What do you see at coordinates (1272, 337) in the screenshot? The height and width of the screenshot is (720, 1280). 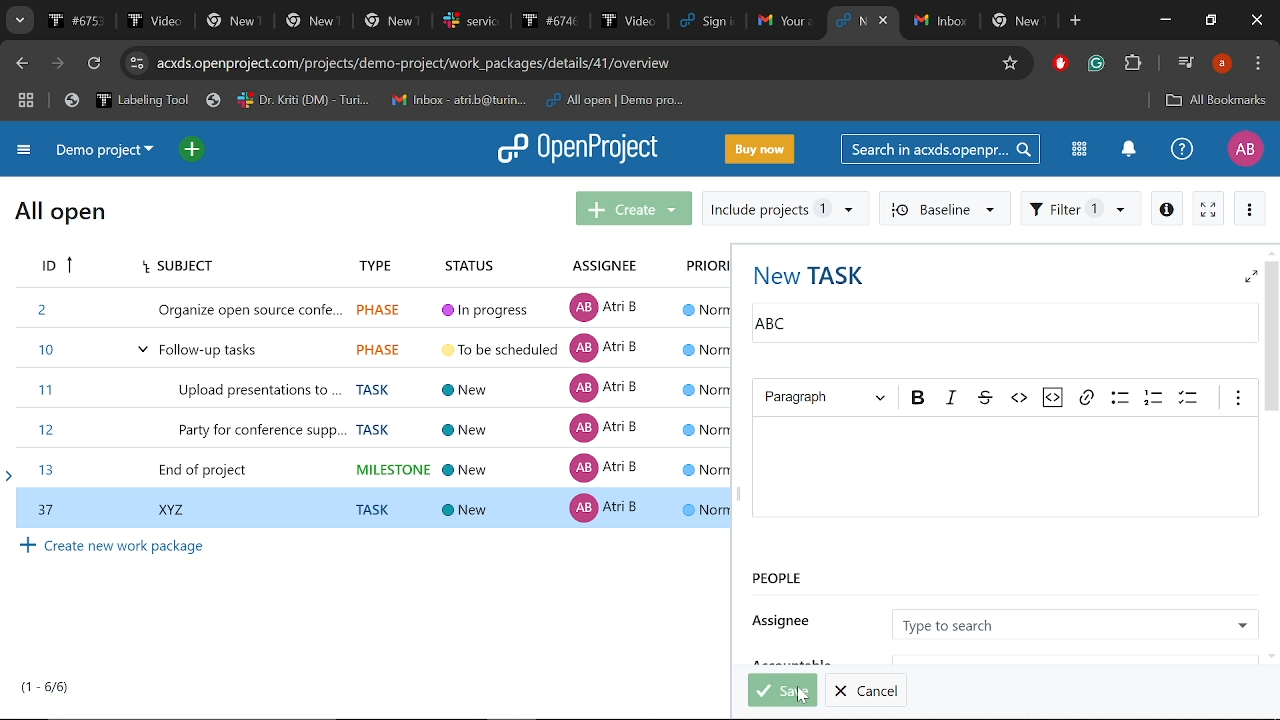 I see `Vertical scrollbar` at bounding box center [1272, 337].